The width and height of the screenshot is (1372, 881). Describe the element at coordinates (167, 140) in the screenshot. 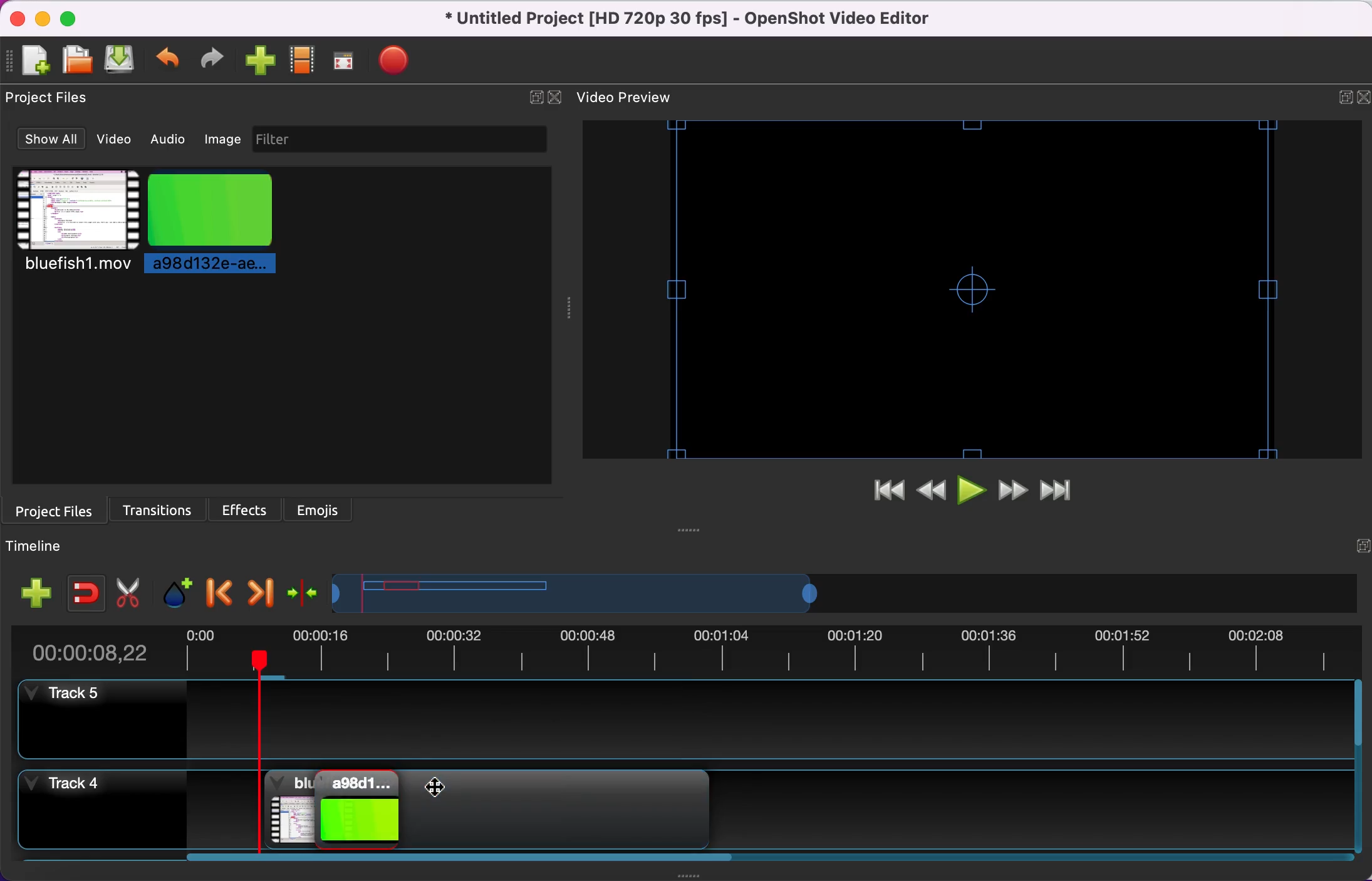

I see `audio` at that location.